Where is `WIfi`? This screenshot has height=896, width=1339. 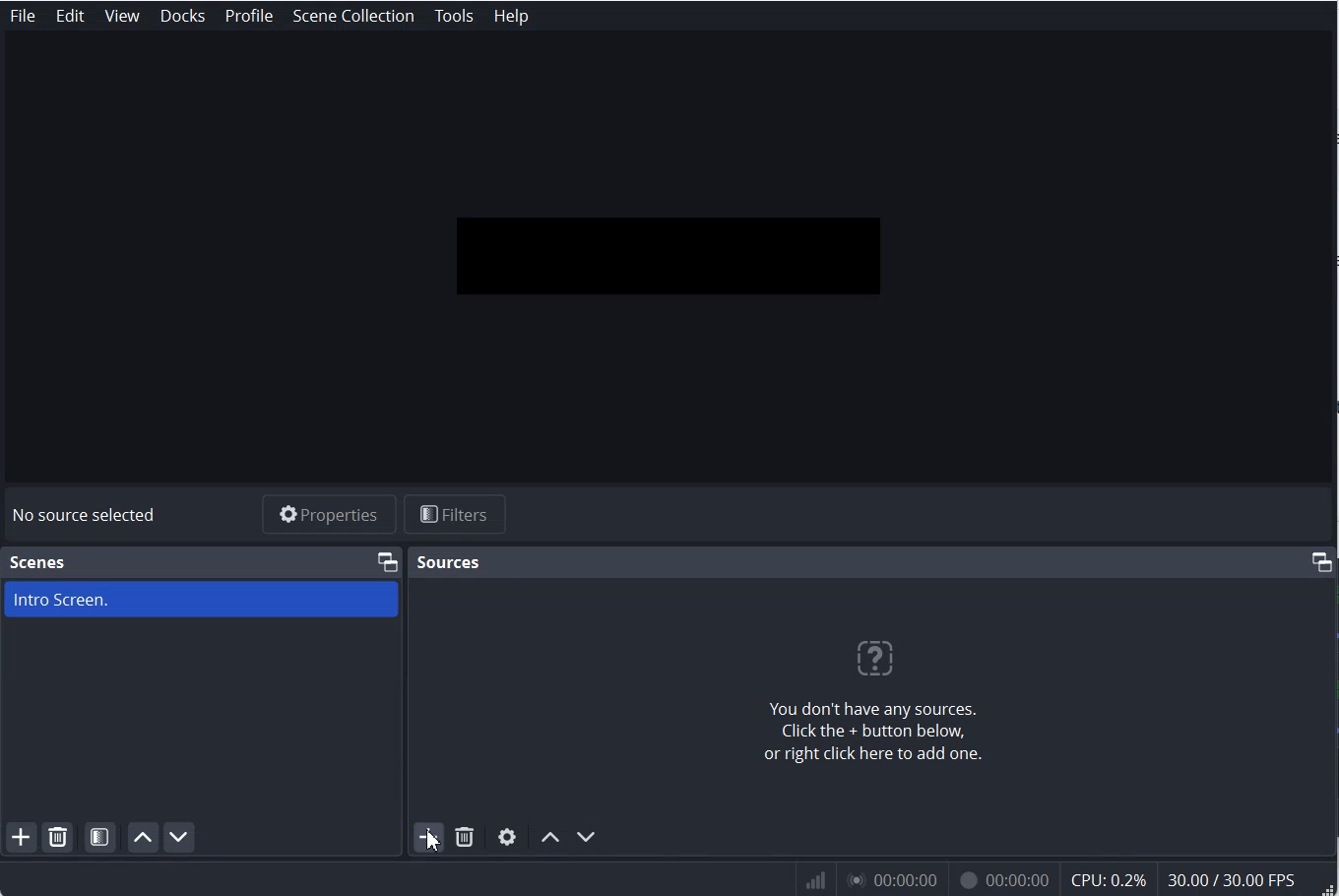
WIfi is located at coordinates (817, 880).